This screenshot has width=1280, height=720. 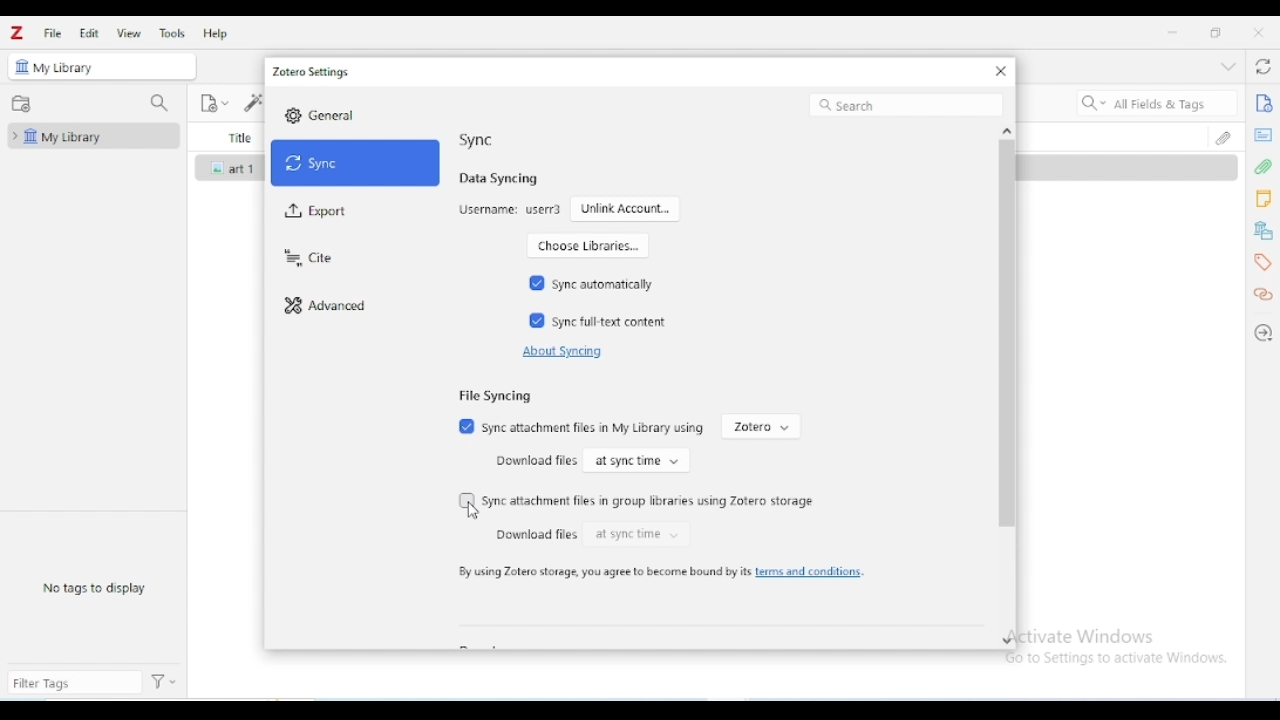 What do you see at coordinates (89, 33) in the screenshot?
I see `edit` at bounding box center [89, 33].